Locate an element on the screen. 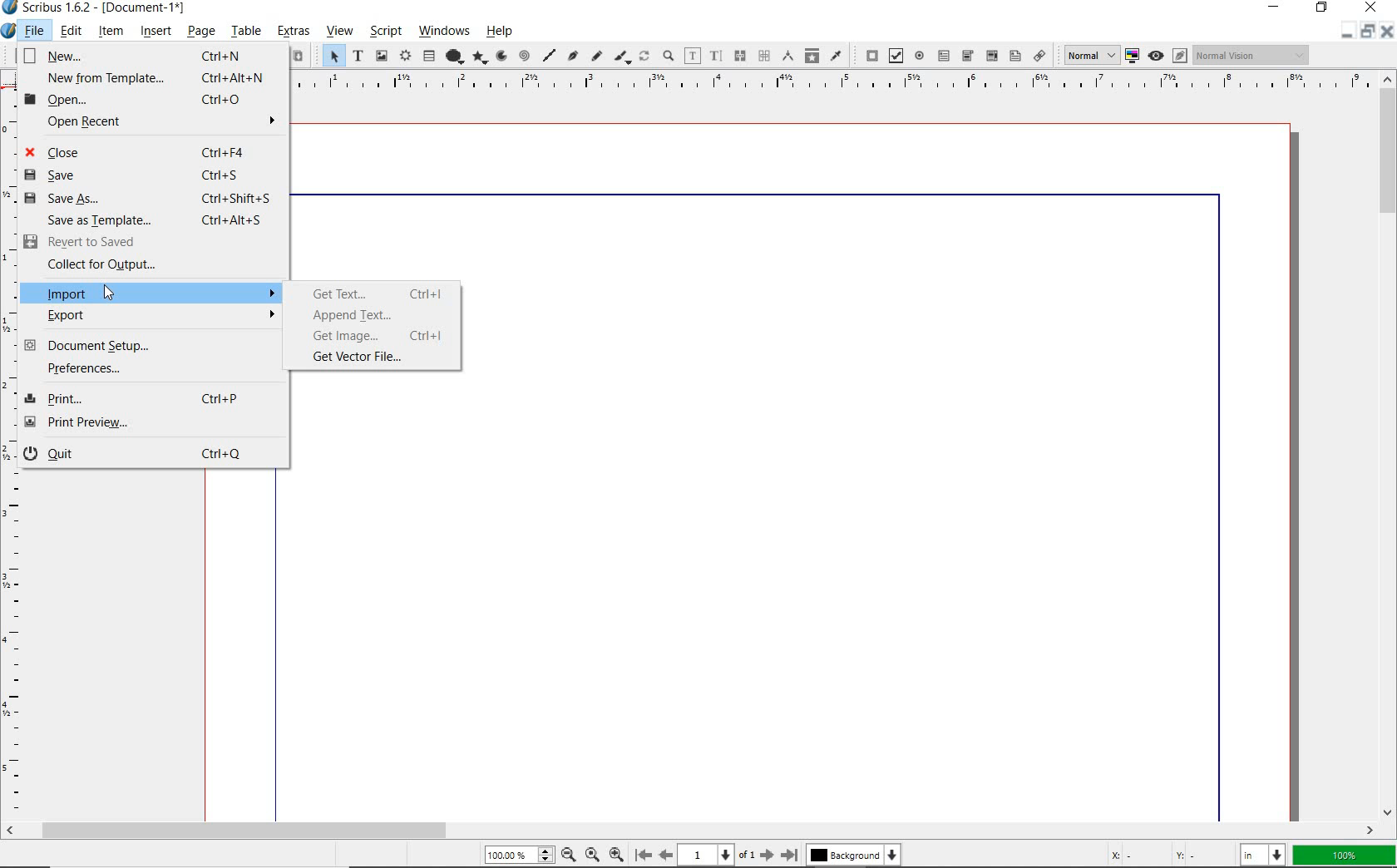  get text... is located at coordinates (377, 294).